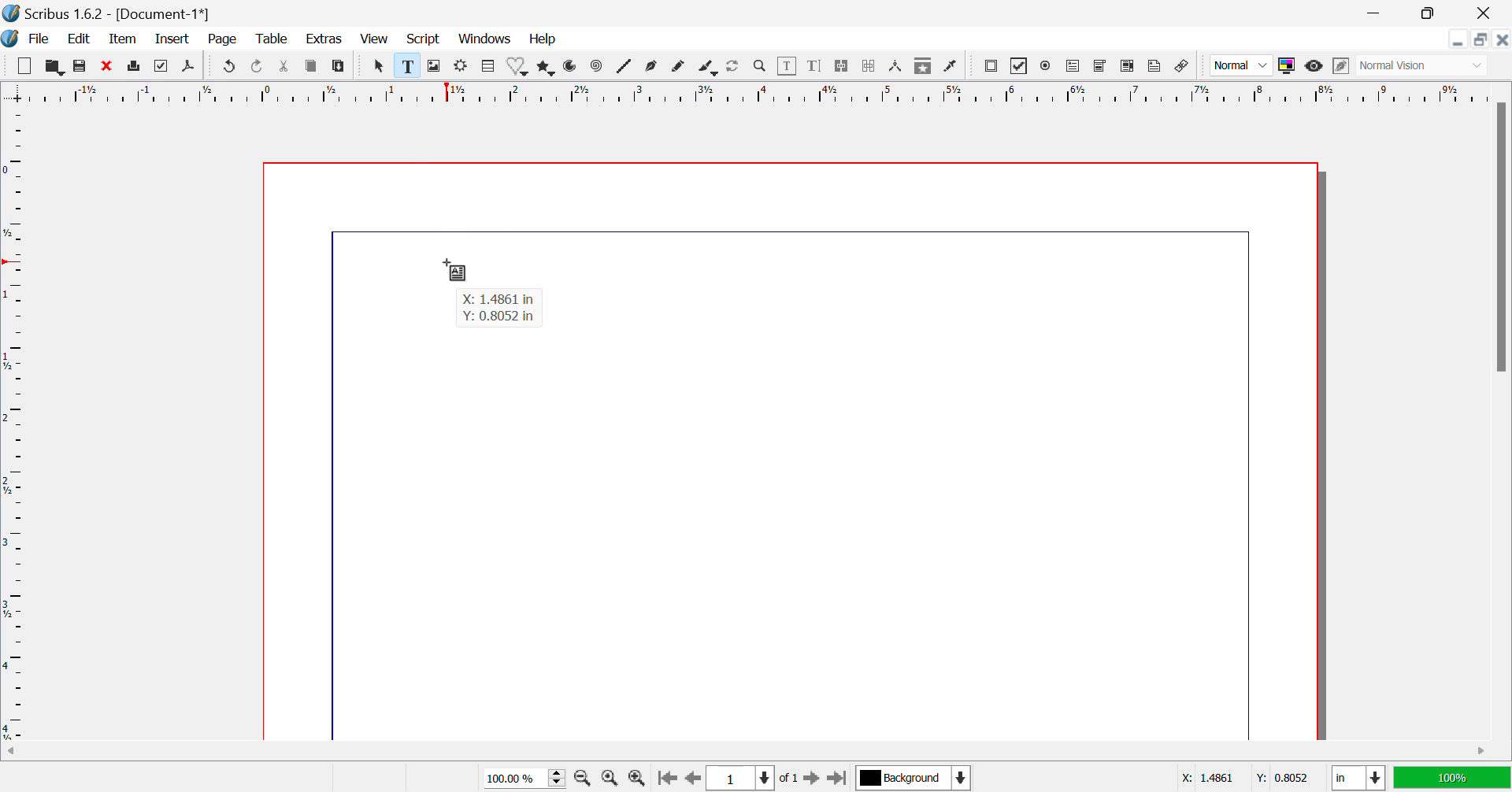  I want to click on Vertical Scroll Bar, so click(1499, 418).